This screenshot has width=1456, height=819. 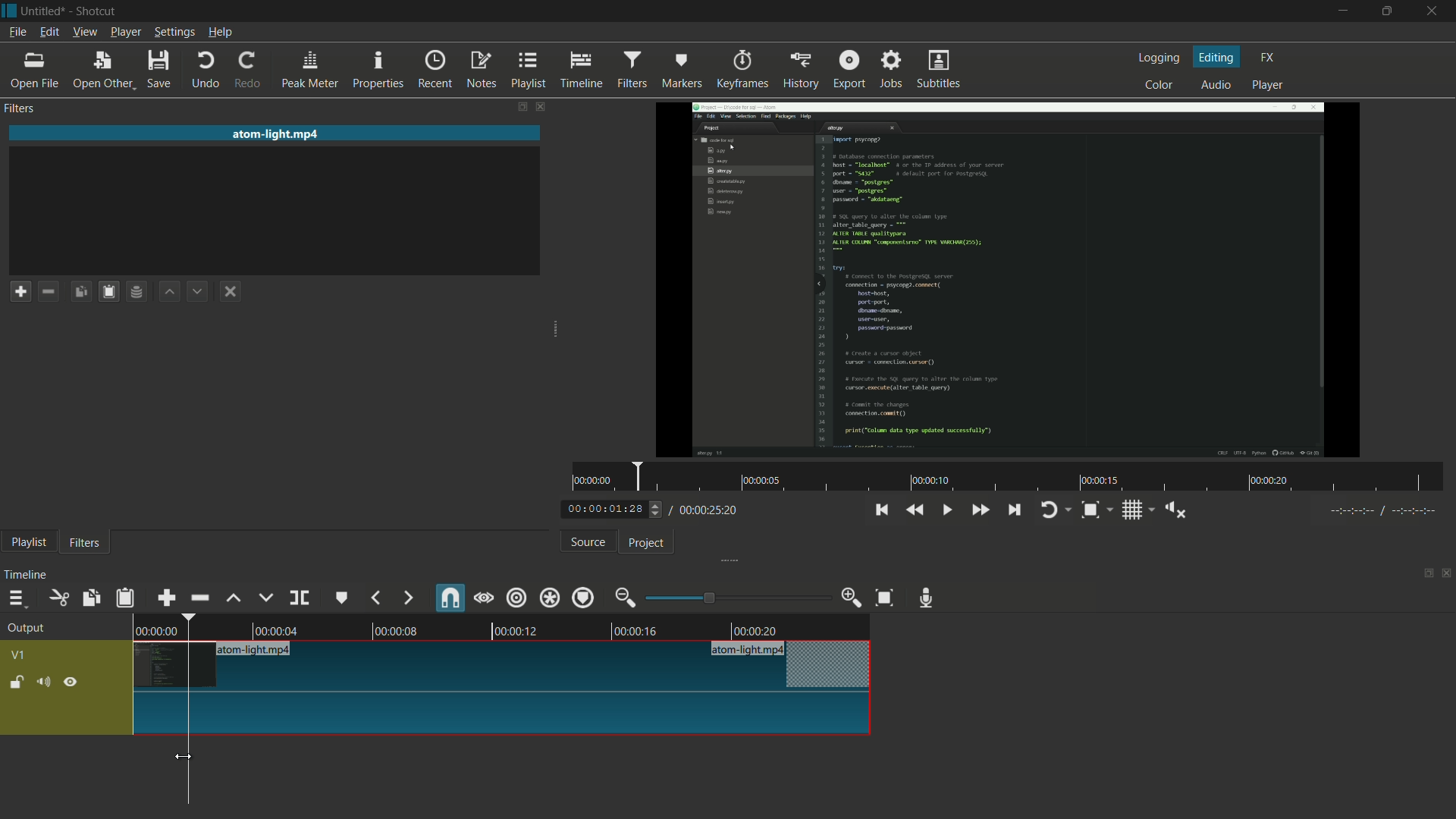 What do you see at coordinates (127, 598) in the screenshot?
I see `paste filters` at bounding box center [127, 598].